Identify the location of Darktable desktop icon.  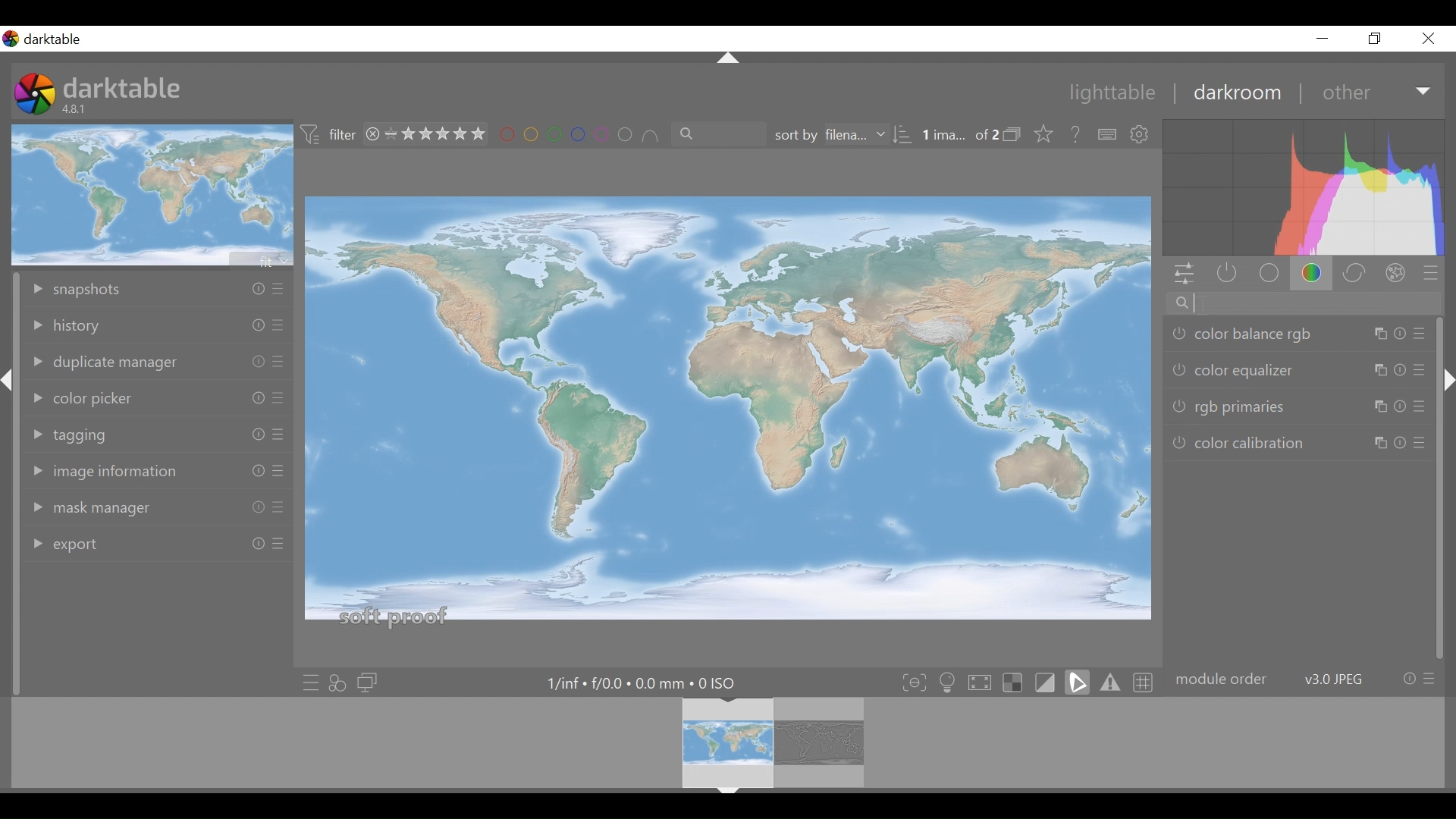
(45, 39).